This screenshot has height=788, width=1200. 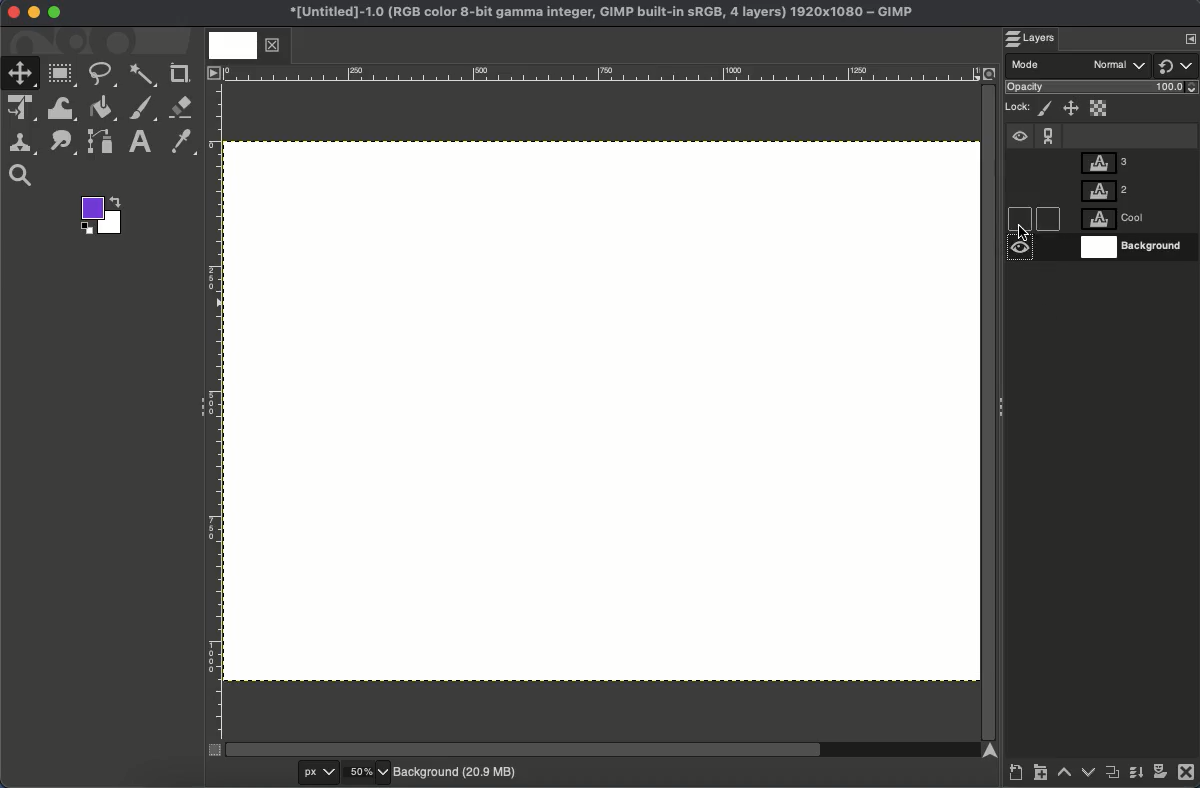 I want to click on Layers, so click(x=1133, y=205).